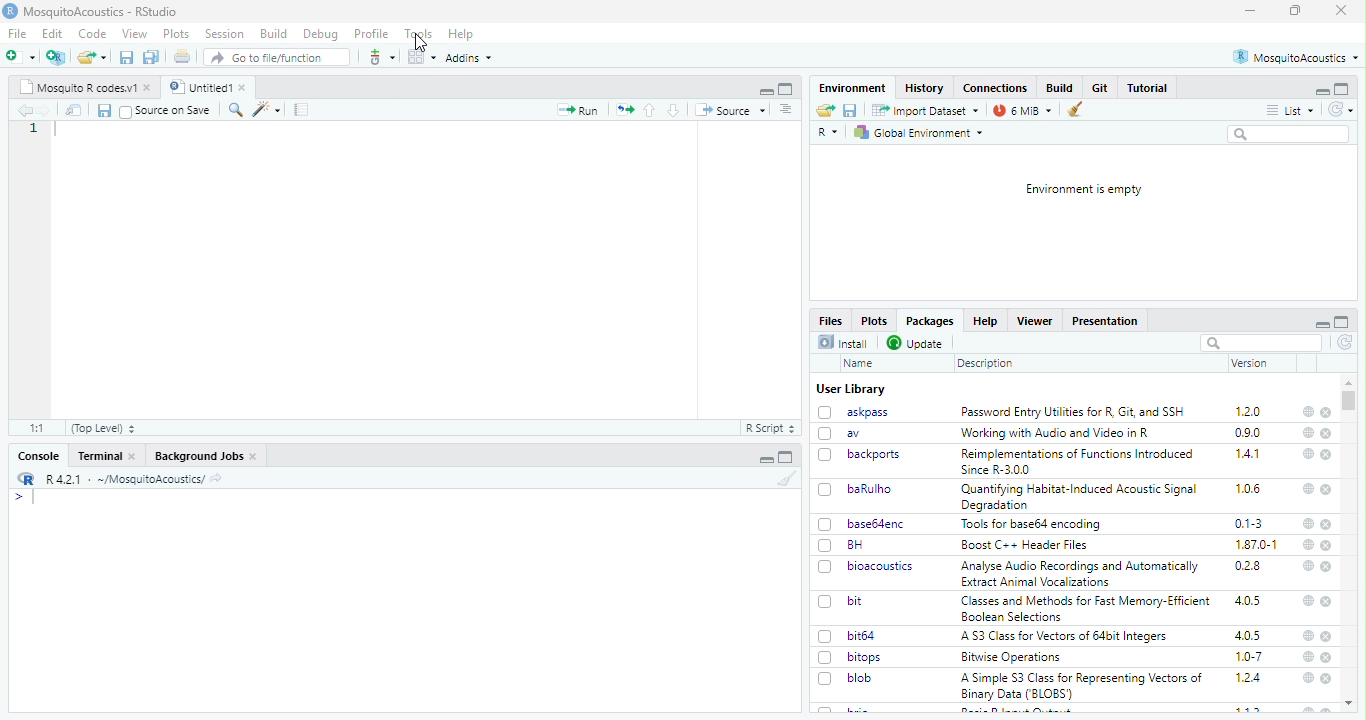 Image resolution: width=1366 pixels, height=720 pixels. I want to click on close, so click(254, 457).